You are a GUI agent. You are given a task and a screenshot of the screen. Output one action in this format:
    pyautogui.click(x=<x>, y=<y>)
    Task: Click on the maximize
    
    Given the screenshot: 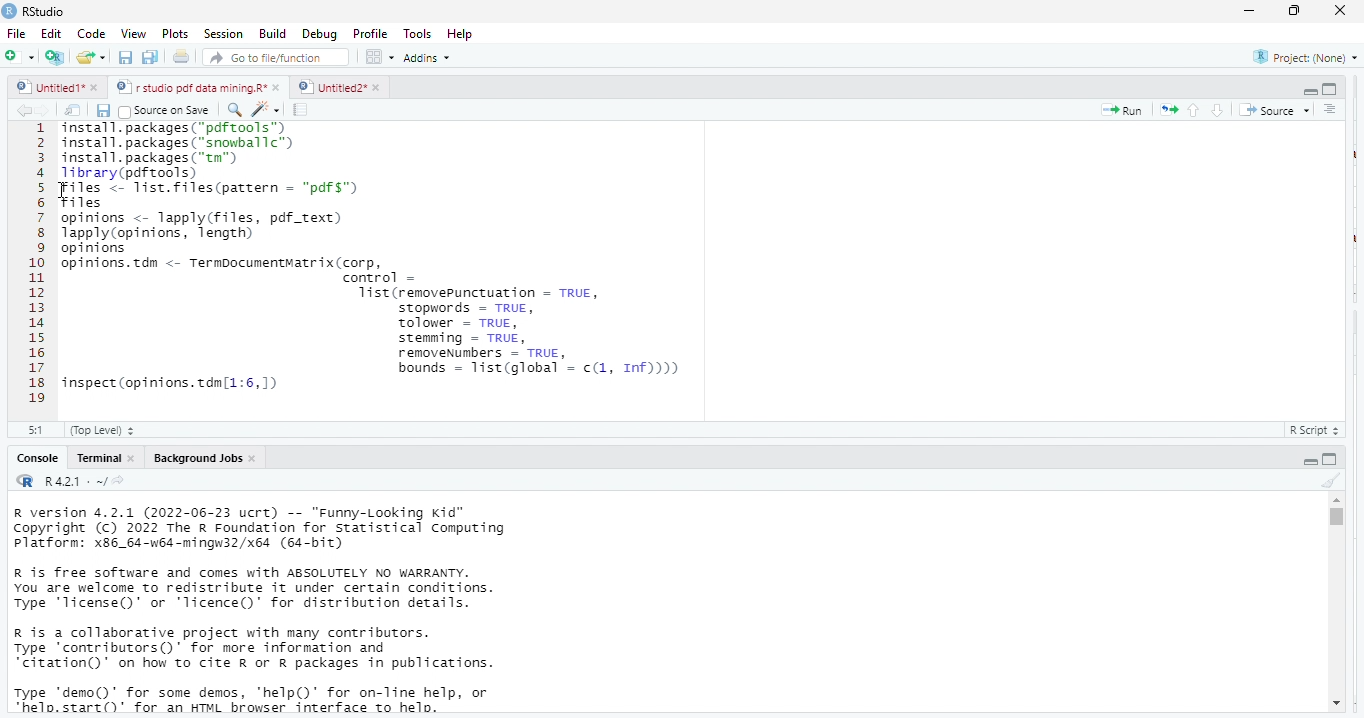 What is the action you would take?
    pyautogui.click(x=1297, y=12)
    